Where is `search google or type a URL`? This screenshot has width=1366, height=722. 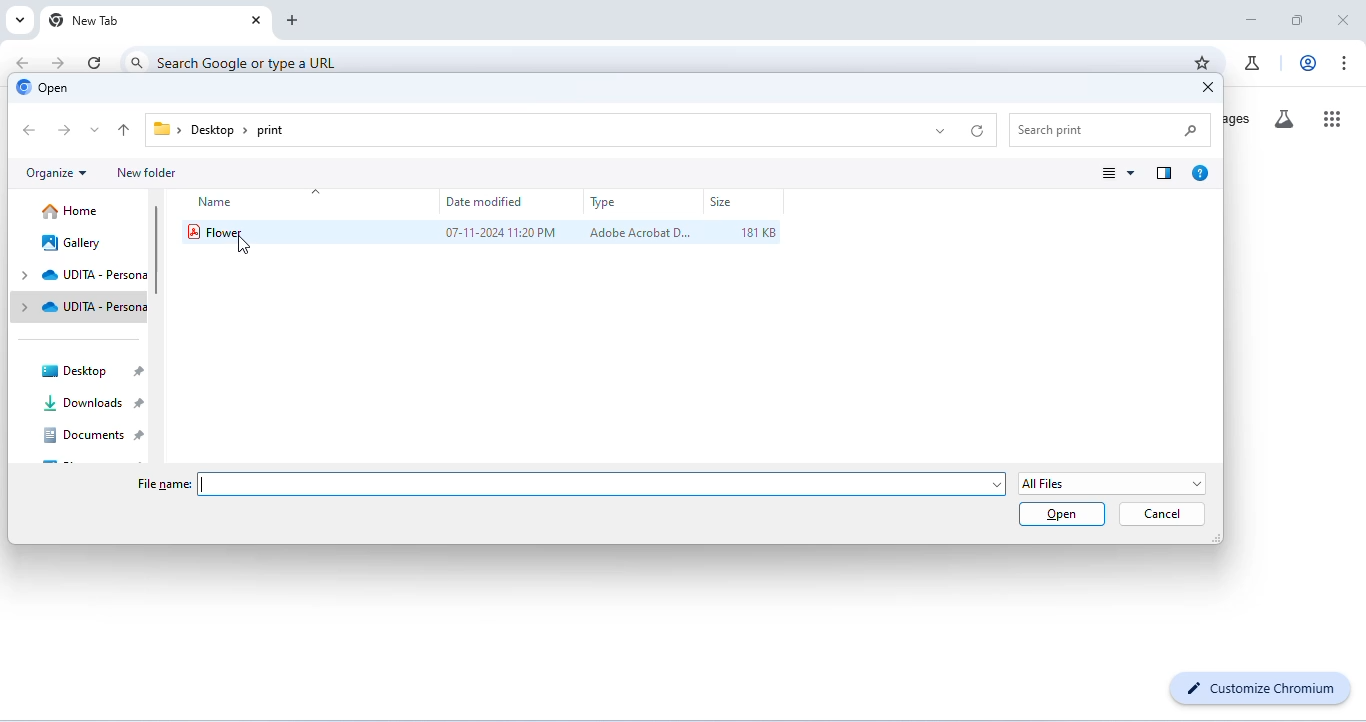
search google or type a URL is located at coordinates (247, 62).